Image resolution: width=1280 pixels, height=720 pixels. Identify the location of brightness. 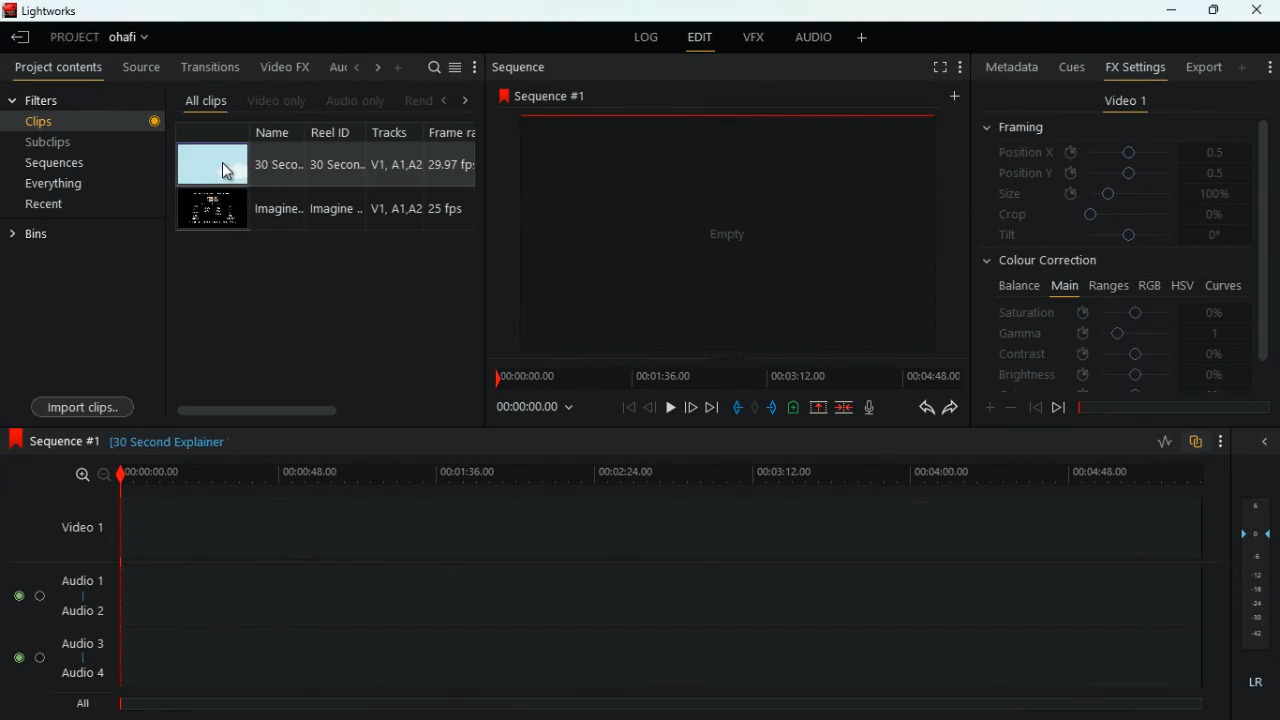
(1110, 374).